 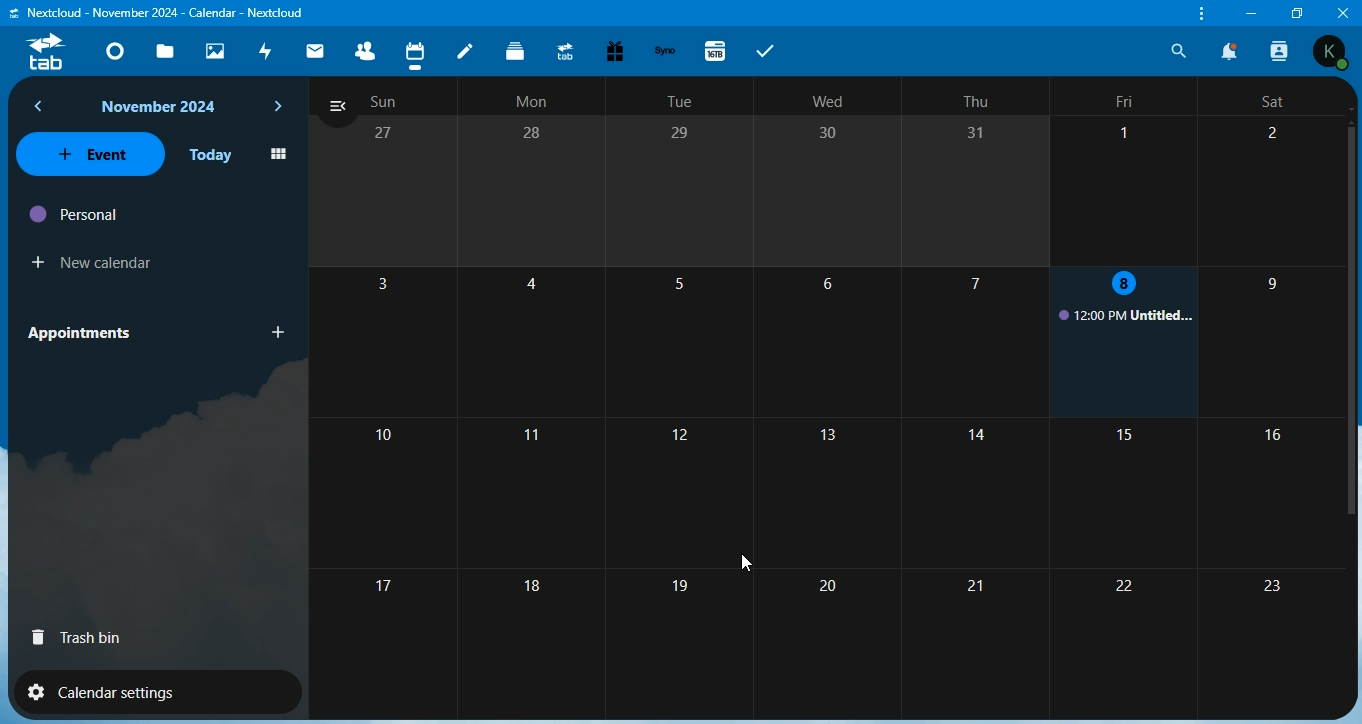 I want to click on minimize, so click(x=1254, y=15).